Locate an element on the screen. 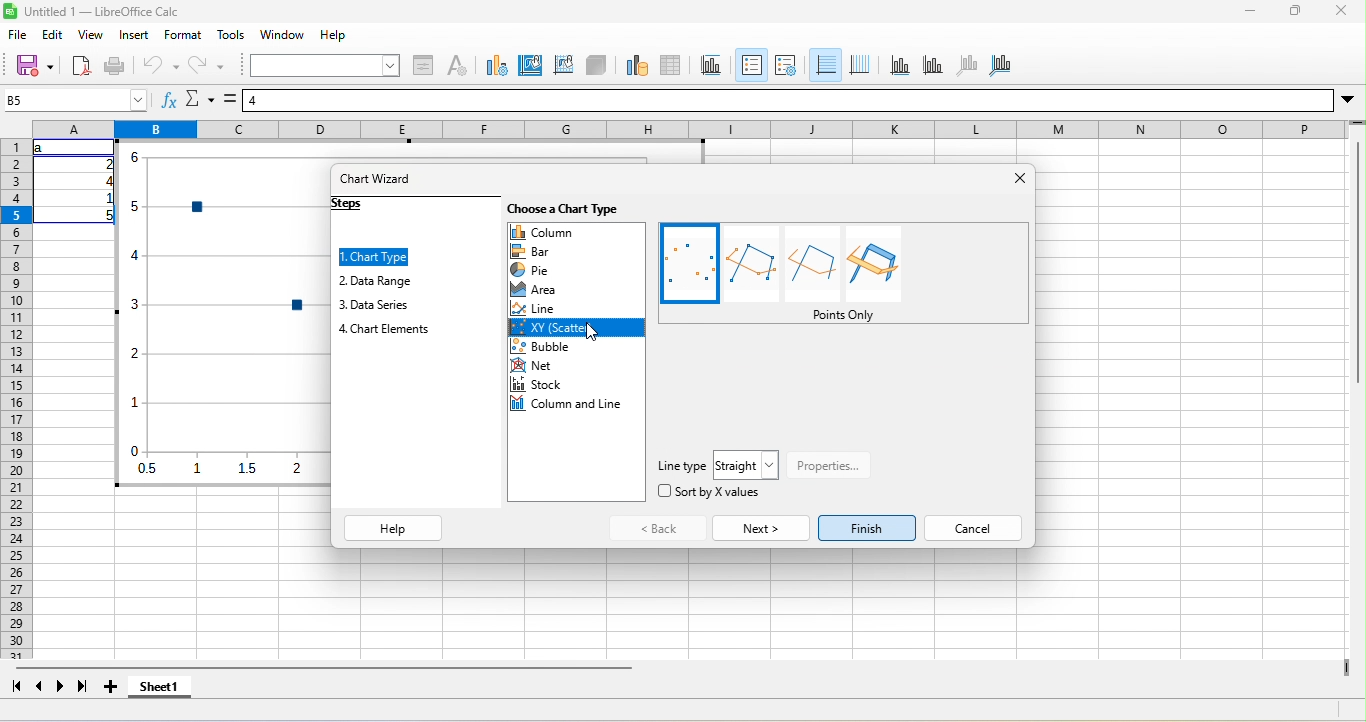  cancel is located at coordinates (973, 528).